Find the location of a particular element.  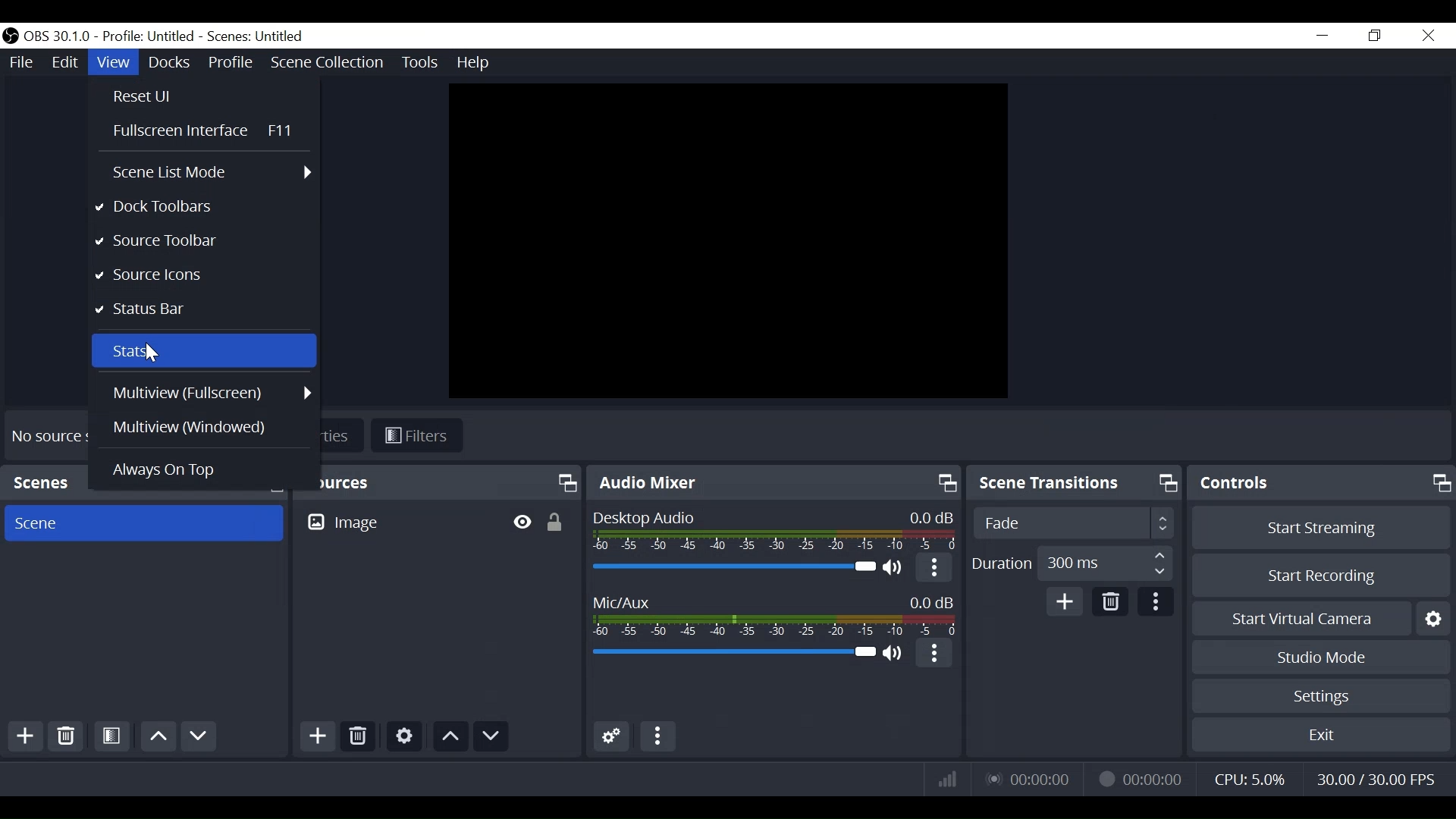

Preview is located at coordinates (729, 240).